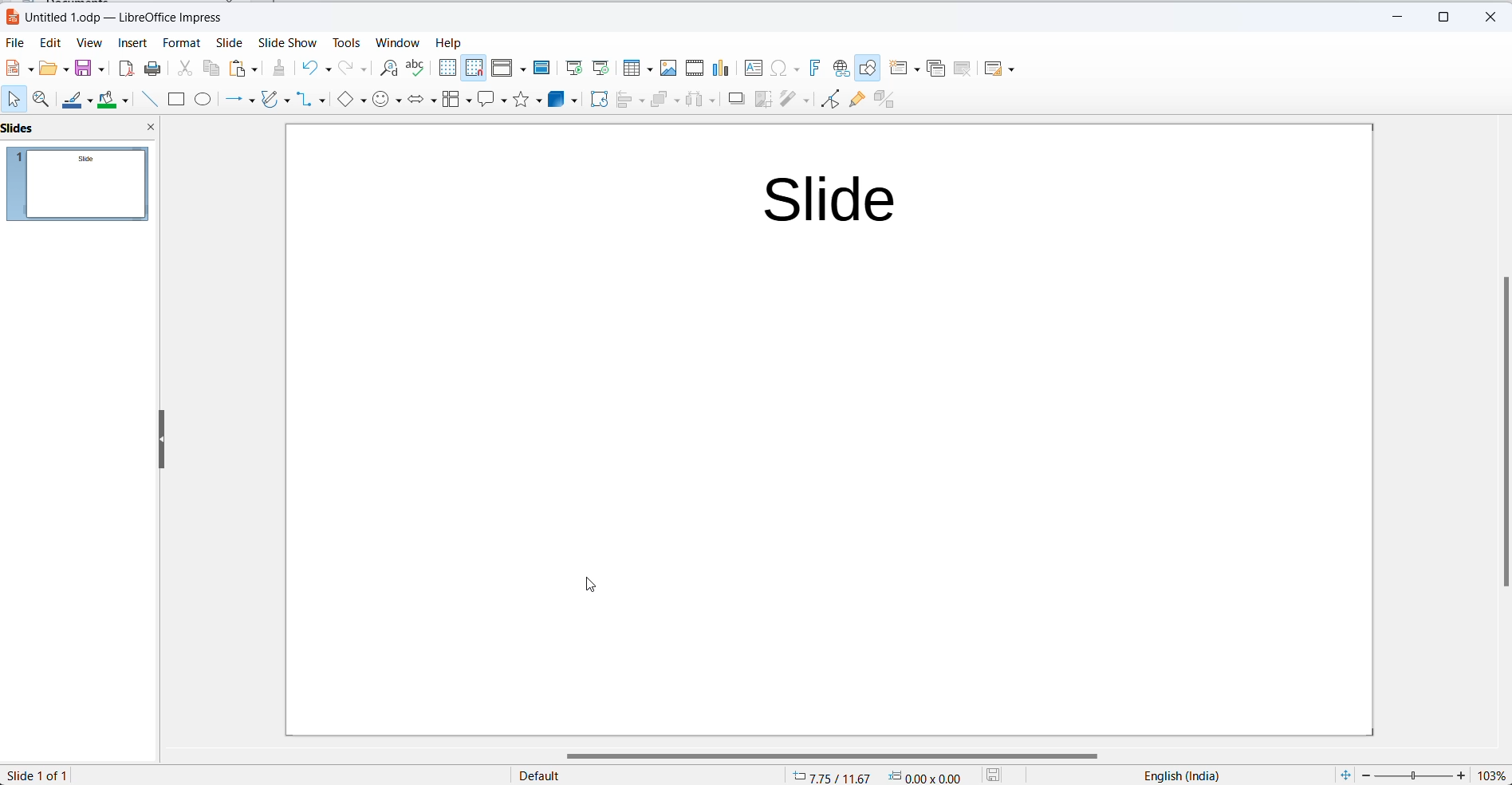 Image resolution: width=1512 pixels, height=785 pixels. Describe the element at coordinates (45, 775) in the screenshot. I see `slide number` at that location.